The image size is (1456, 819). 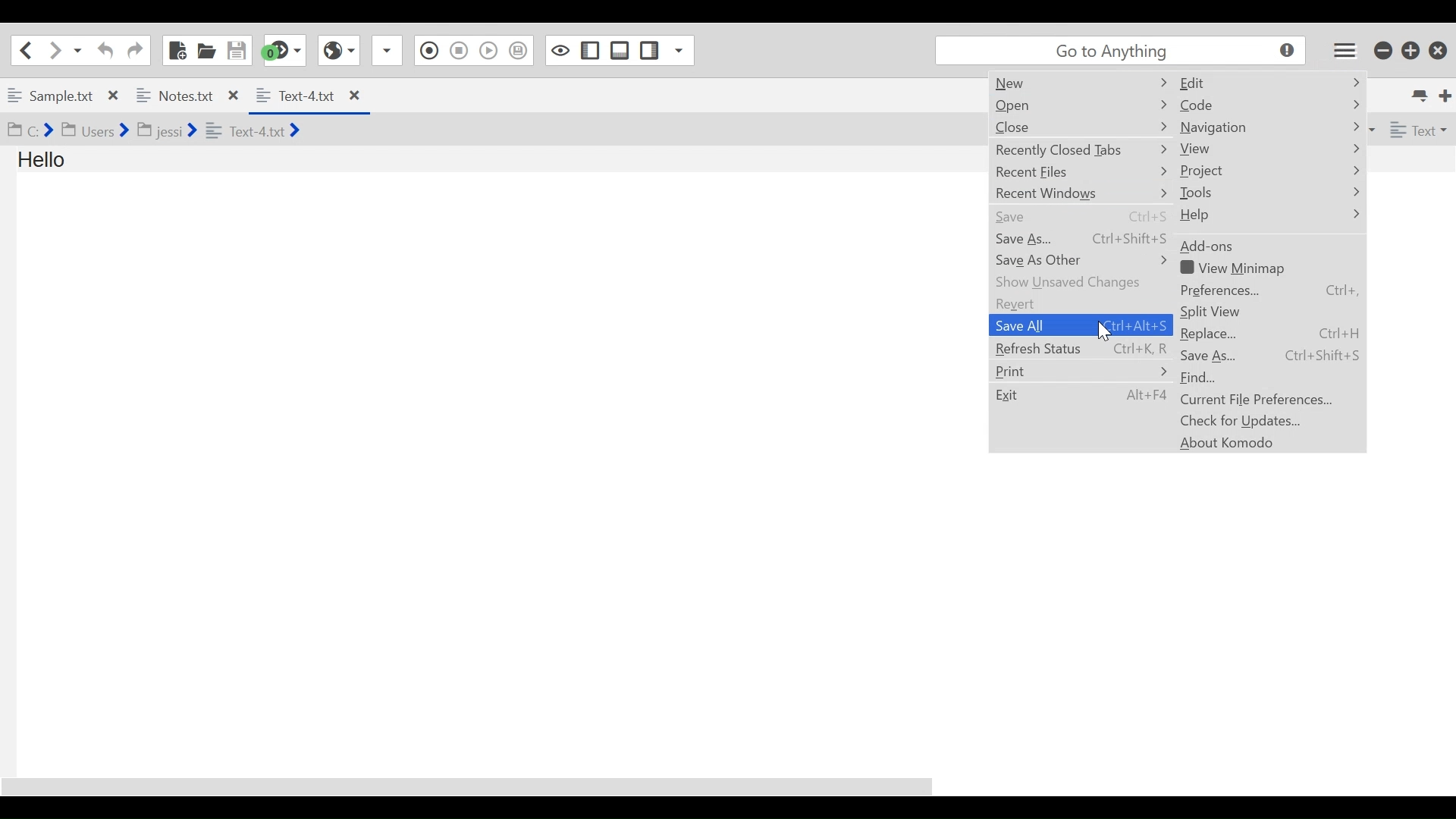 What do you see at coordinates (1419, 129) in the screenshot?
I see `File Type` at bounding box center [1419, 129].